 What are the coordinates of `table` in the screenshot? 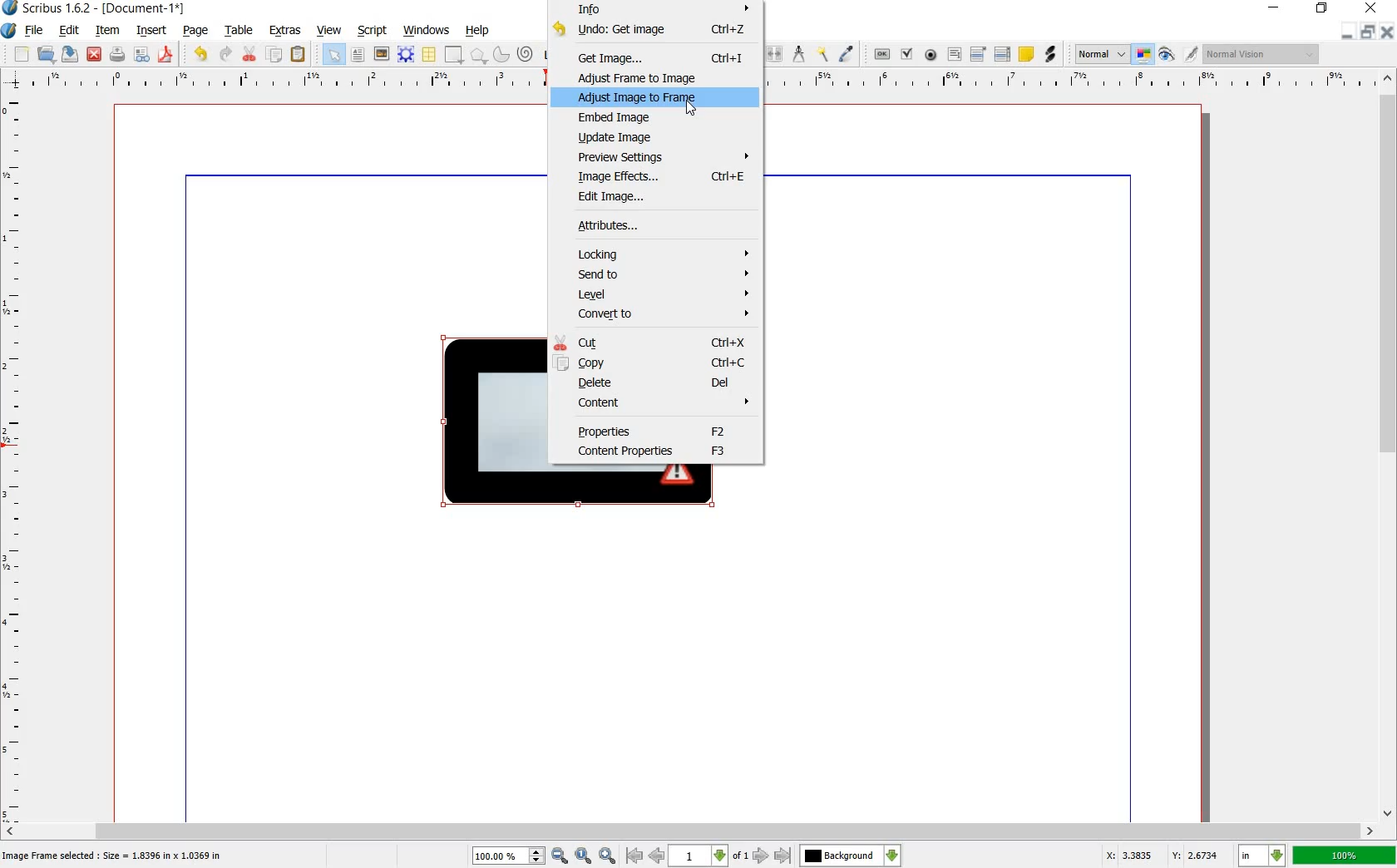 It's located at (427, 54).